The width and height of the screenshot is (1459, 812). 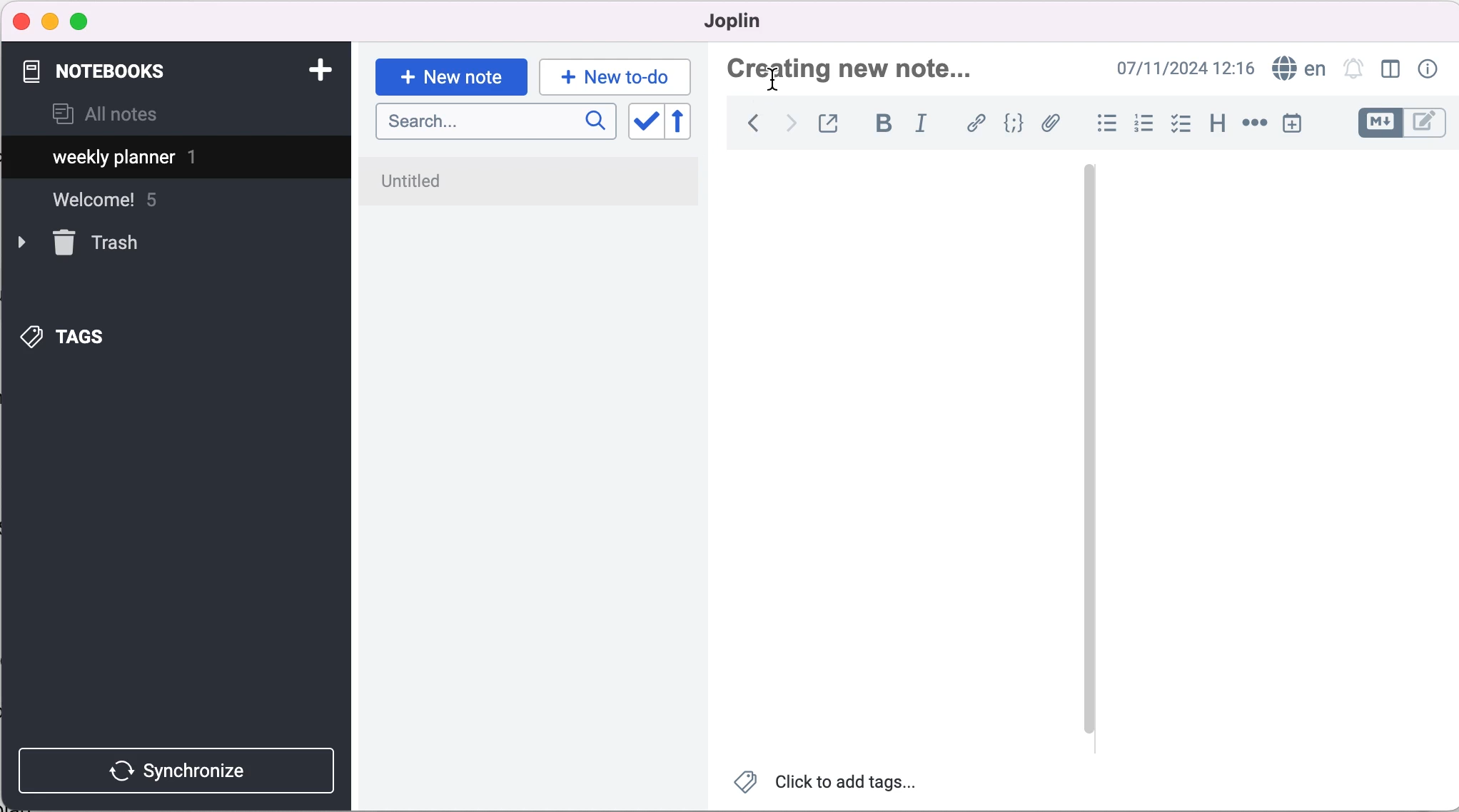 I want to click on italic, so click(x=927, y=123).